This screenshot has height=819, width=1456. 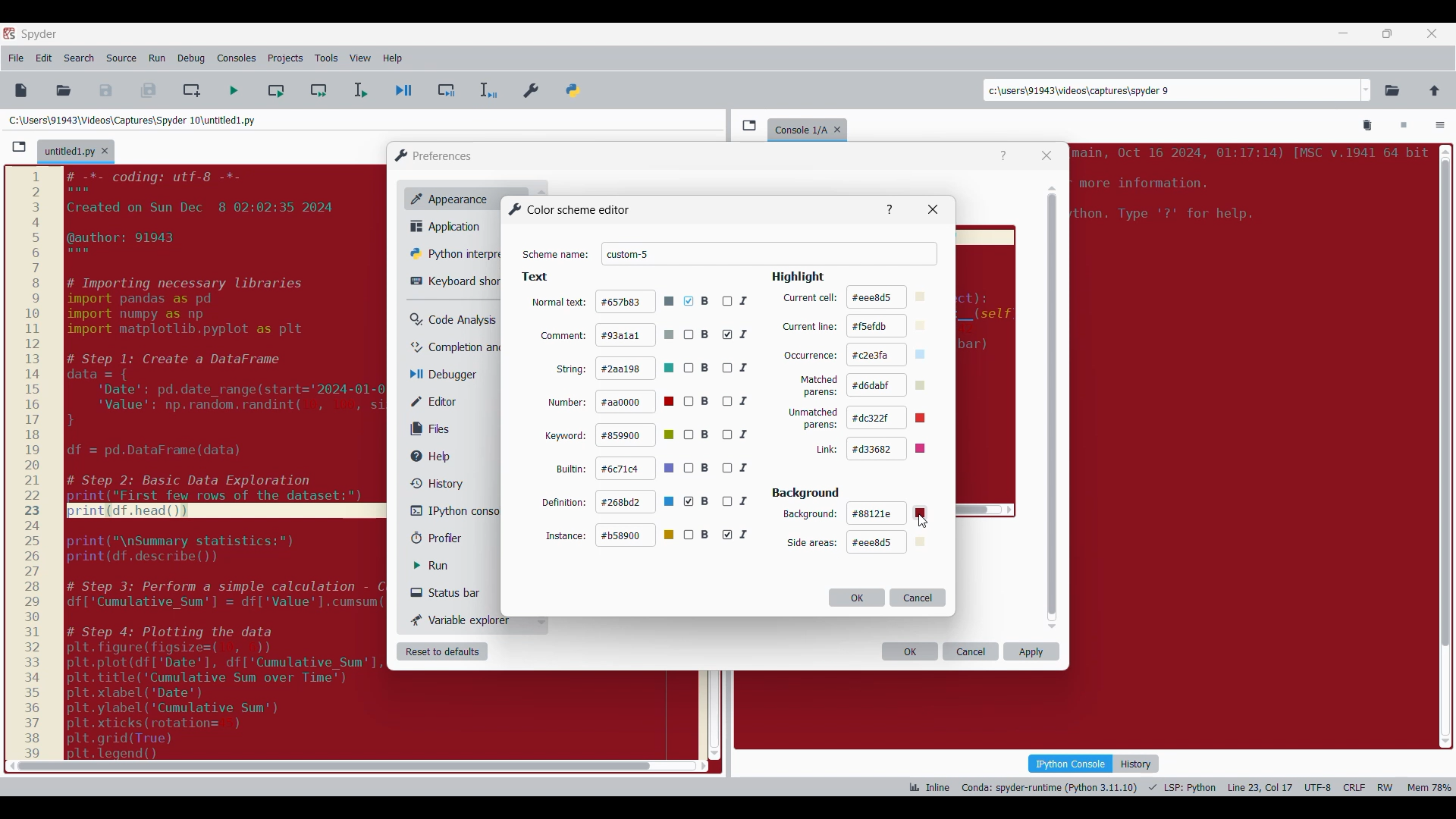 I want to click on instance, so click(x=566, y=535).